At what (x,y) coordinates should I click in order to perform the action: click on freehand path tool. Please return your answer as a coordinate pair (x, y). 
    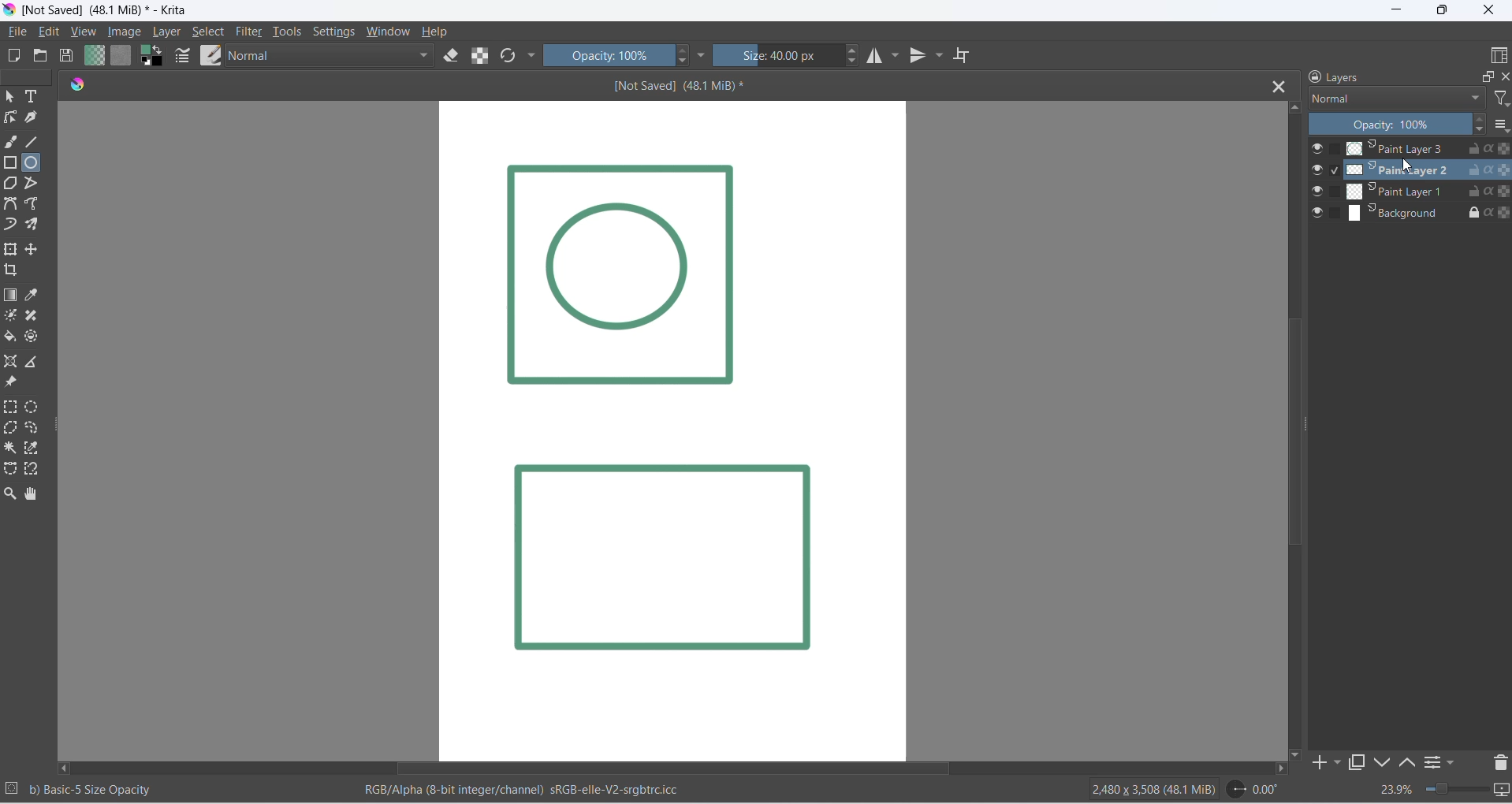
    Looking at the image, I should click on (37, 204).